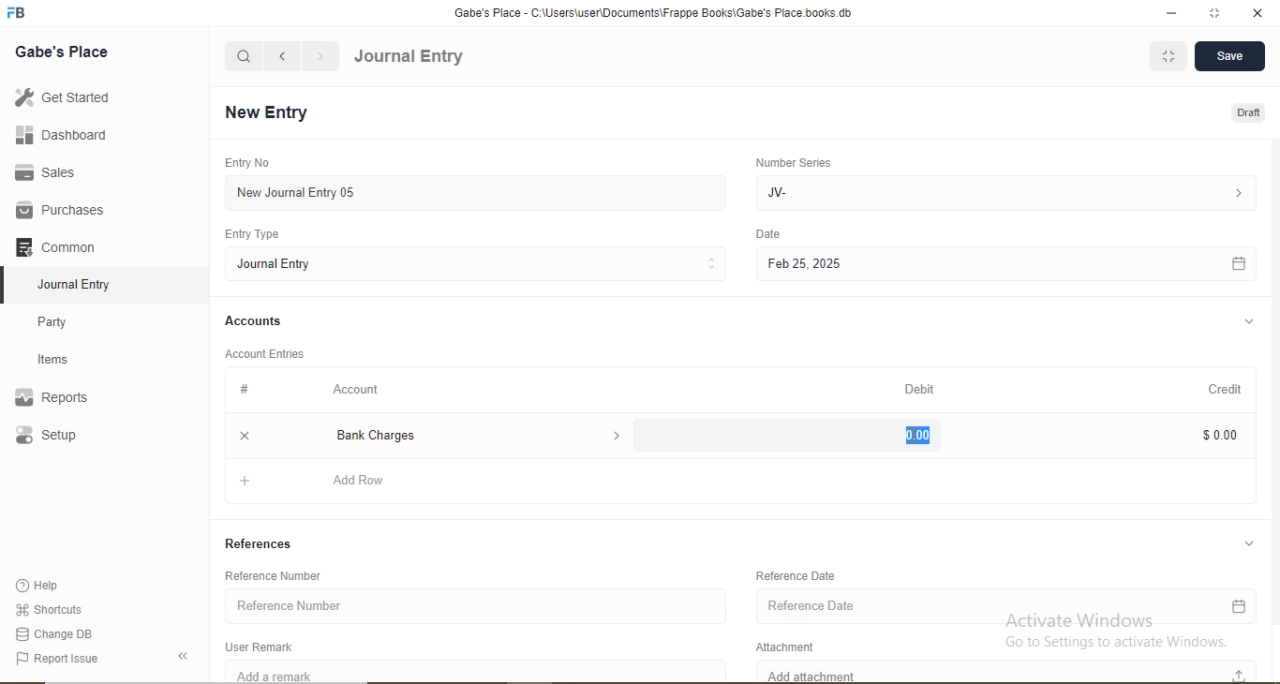 Image resolution: width=1280 pixels, height=684 pixels. Describe the element at coordinates (186, 656) in the screenshot. I see `collapse sidebar` at that location.